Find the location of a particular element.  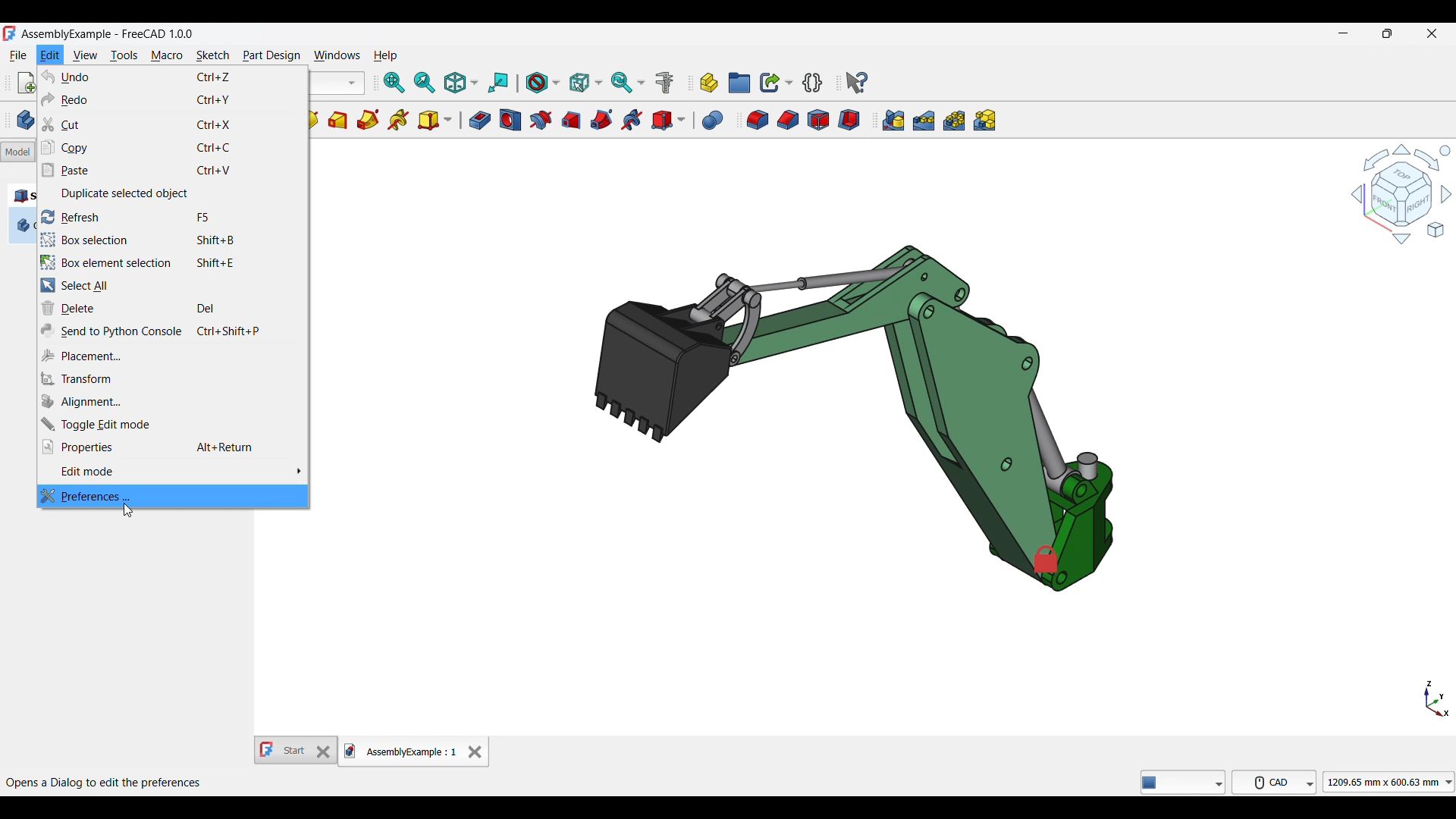

Box element selection is located at coordinates (173, 262).